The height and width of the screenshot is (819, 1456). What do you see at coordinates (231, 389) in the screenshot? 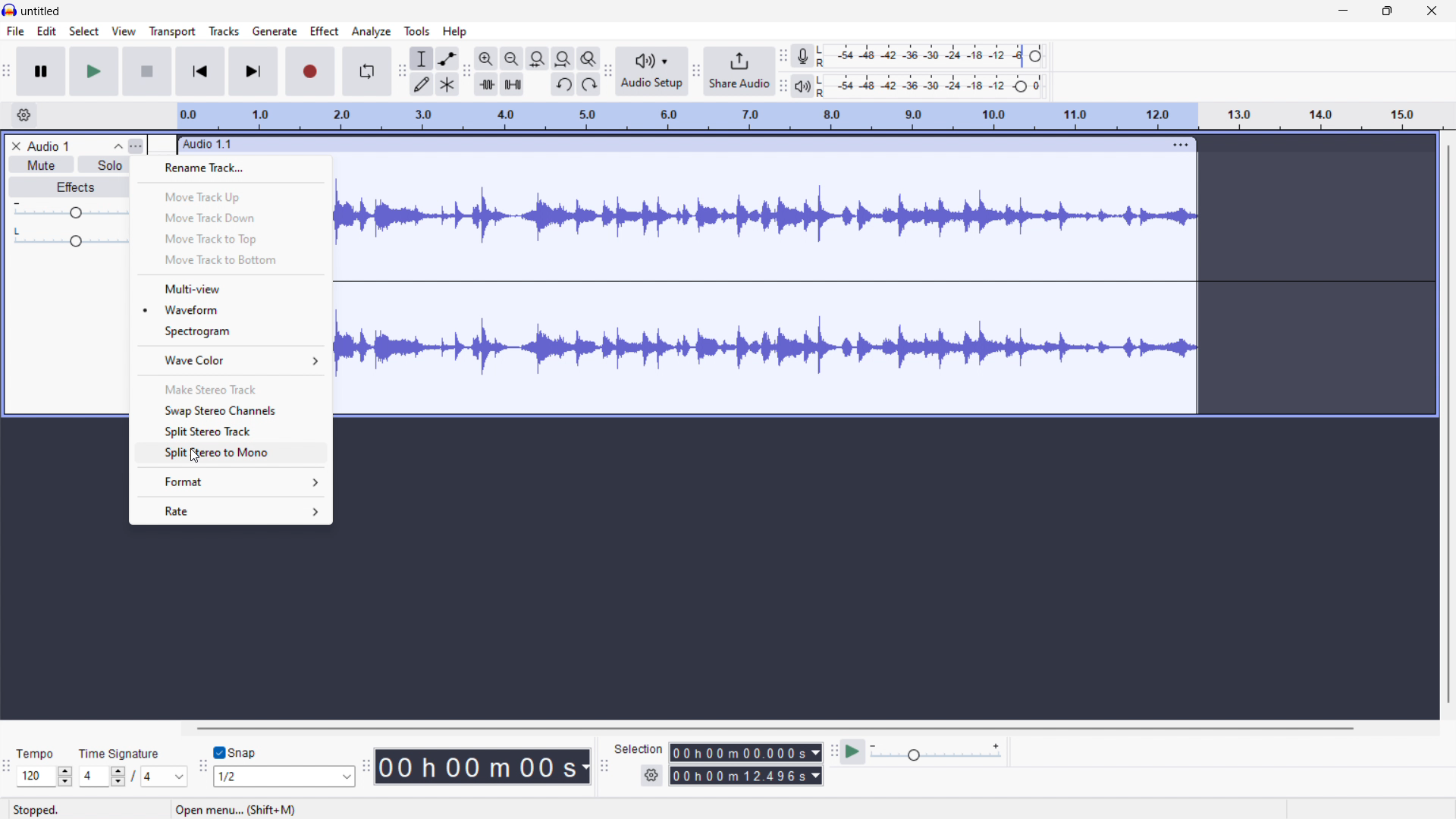
I see `make sstereo track` at bounding box center [231, 389].